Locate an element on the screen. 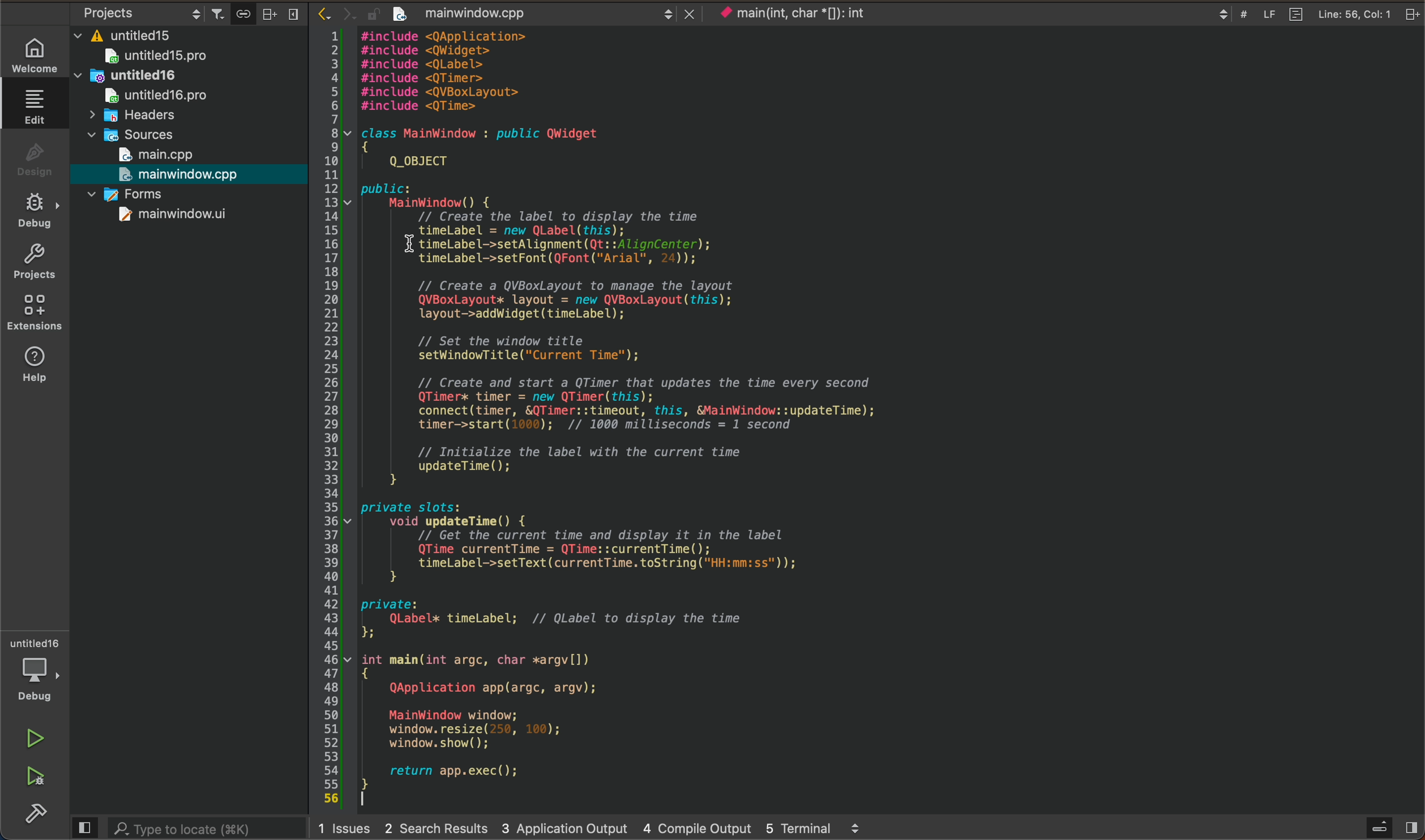 The width and height of the screenshot is (1425, 840). build is located at coordinates (33, 815).